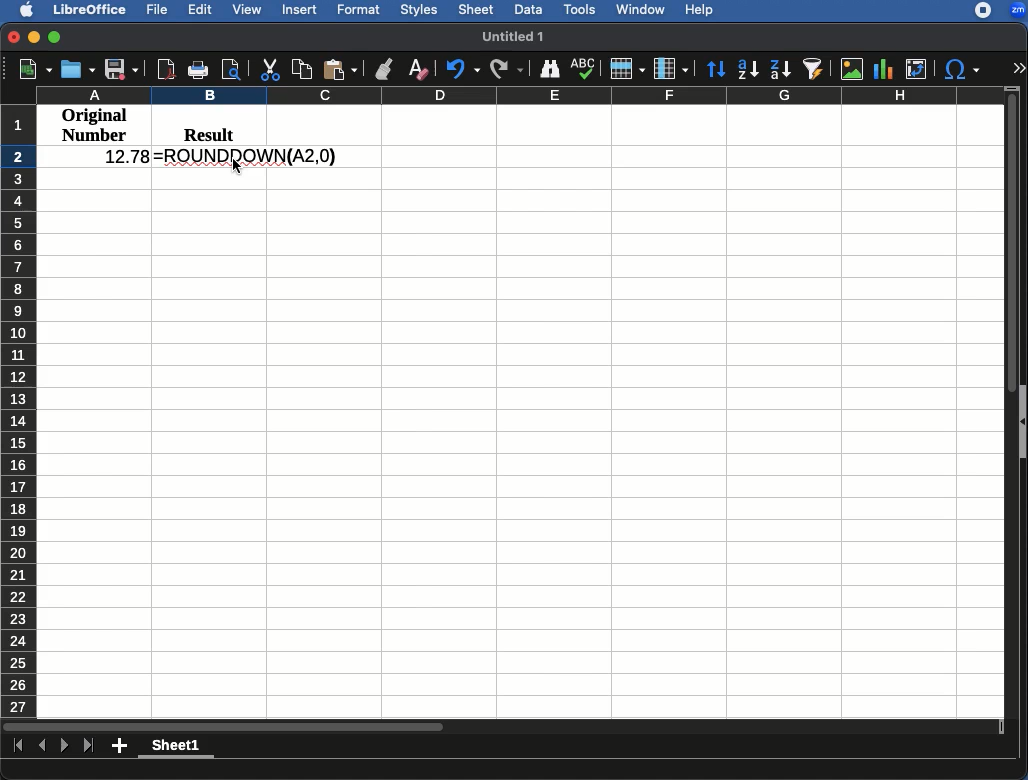 Image resolution: width=1028 pixels, height=780 pixels. What do you see at coordinates (1013, 400) in the screenshot?
I see `Scroll` at bounding box center [1013, 400].